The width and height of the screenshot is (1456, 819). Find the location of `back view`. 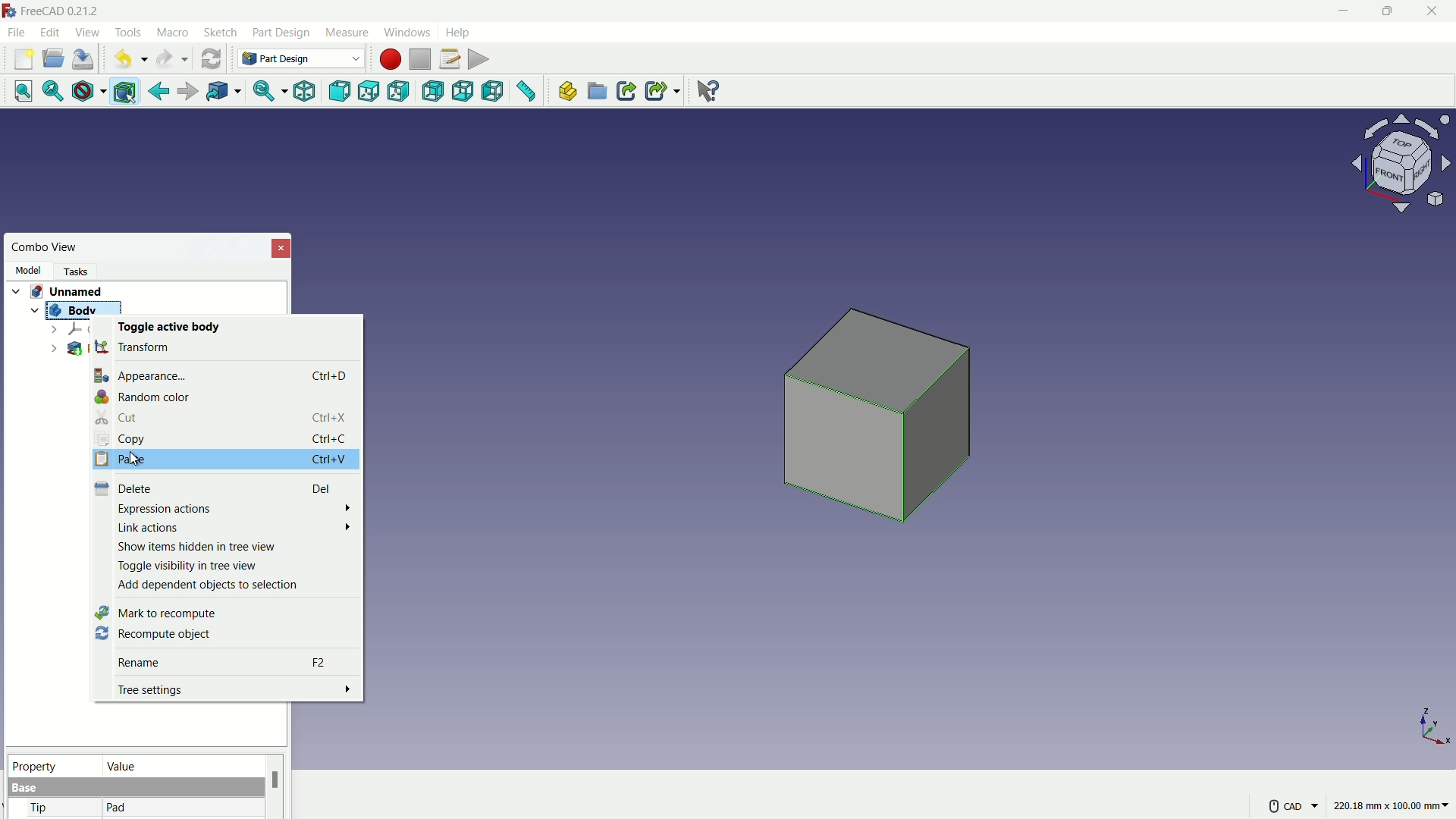

back view is located at coordinates (435, 93).